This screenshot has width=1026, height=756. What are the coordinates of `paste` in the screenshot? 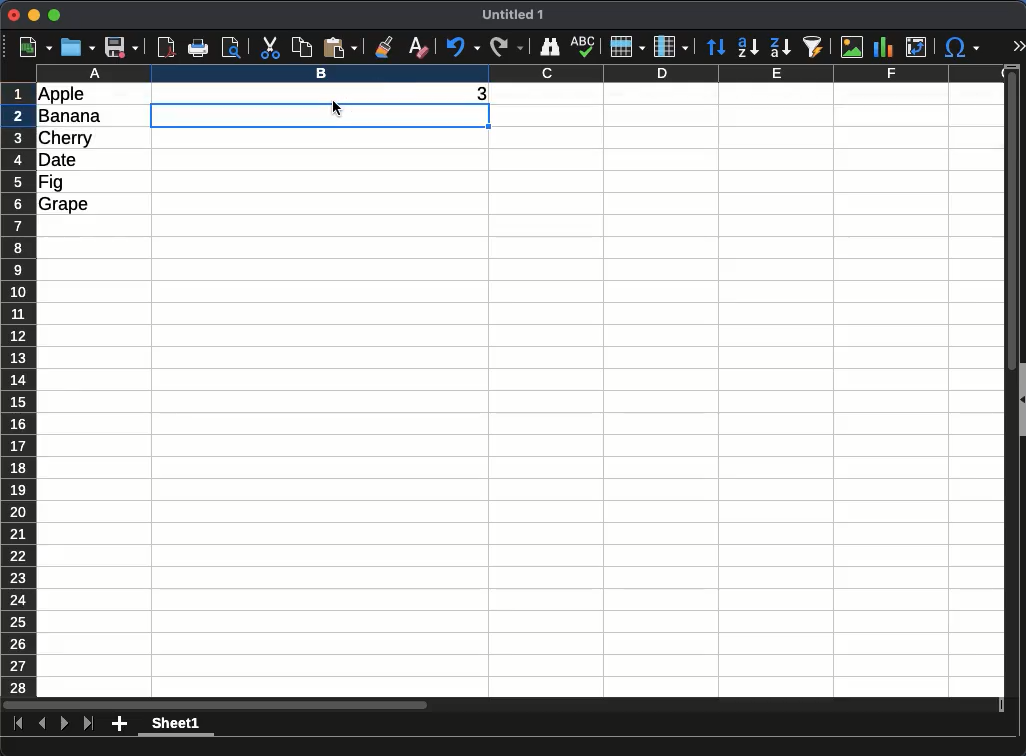 It's located at (340, 48).